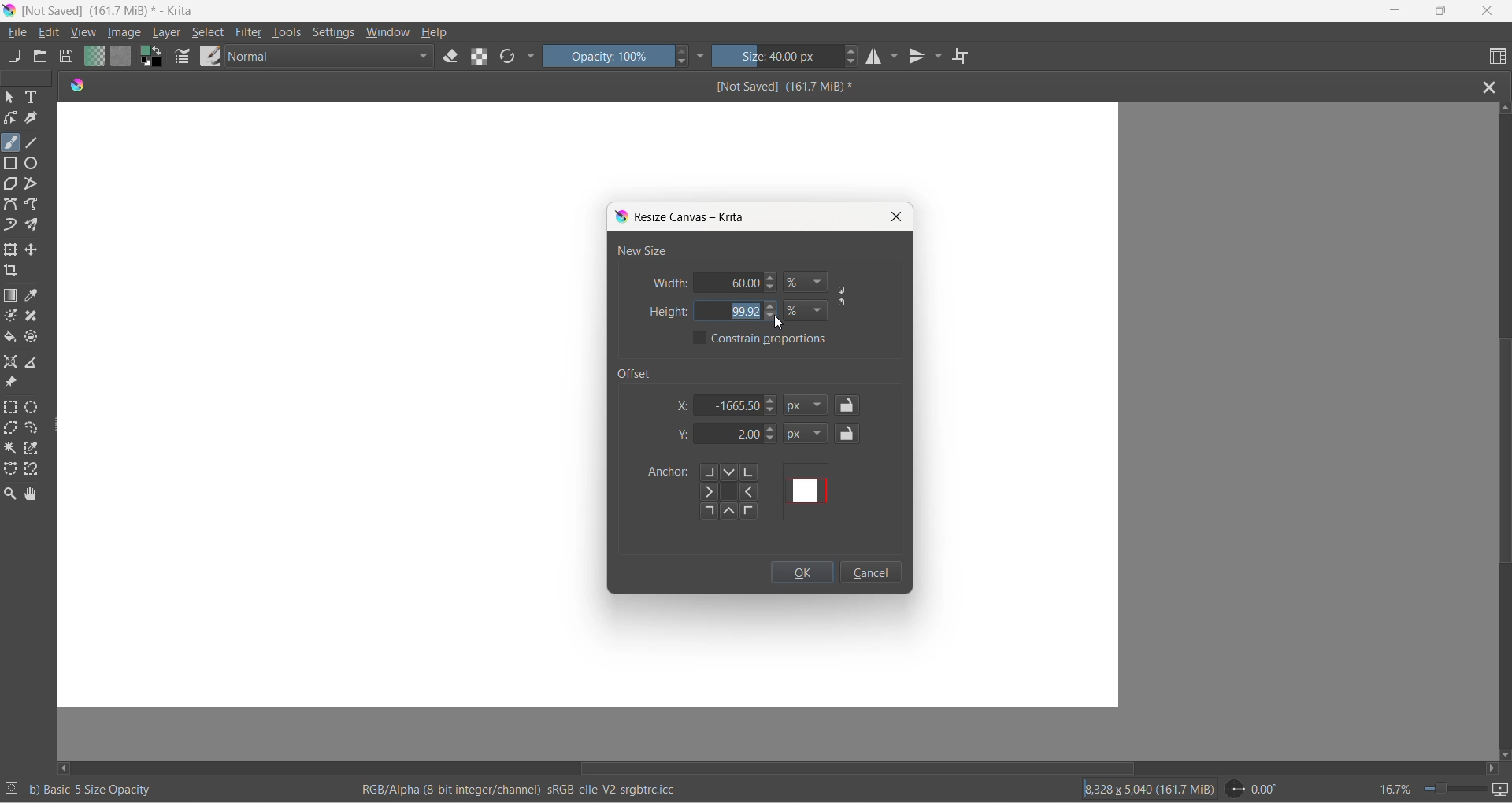 The image size is (1512, 803). Describe the element at coordinates (807, 283) in the screenshot. I see `width value type` at that location.